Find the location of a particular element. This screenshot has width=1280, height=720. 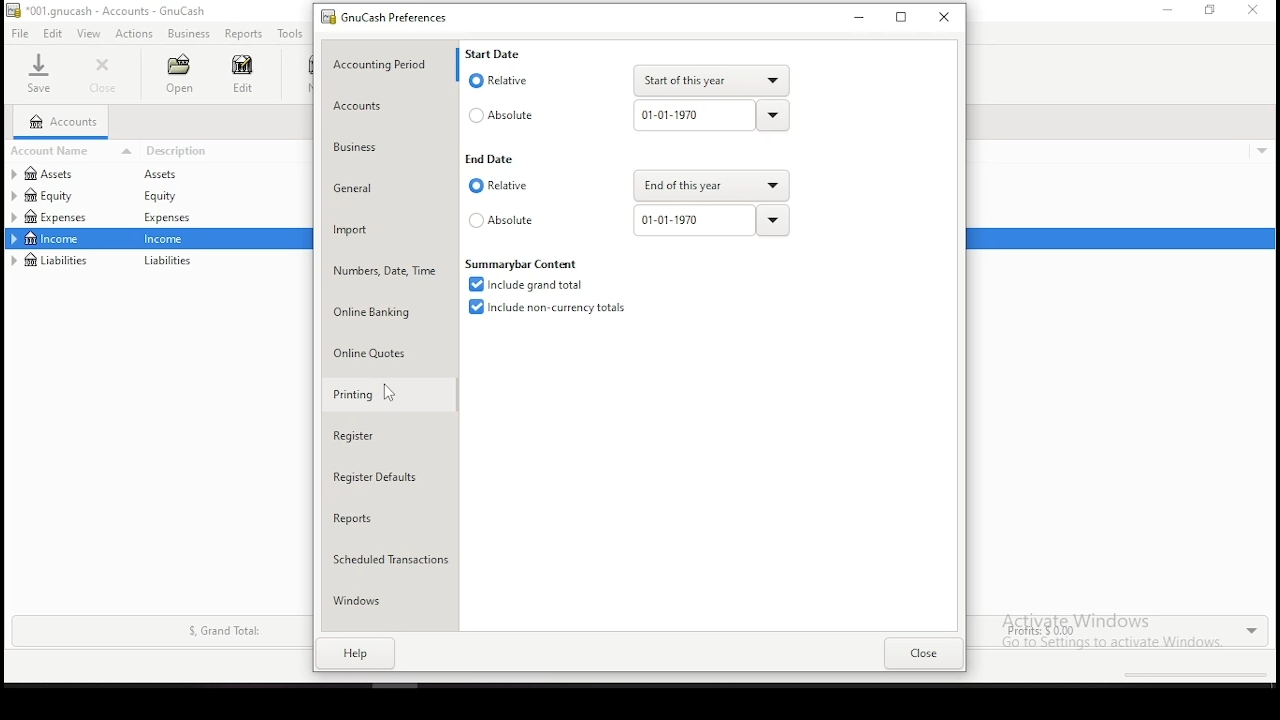

GNUcash preferences is located at coordinates (400, 18).